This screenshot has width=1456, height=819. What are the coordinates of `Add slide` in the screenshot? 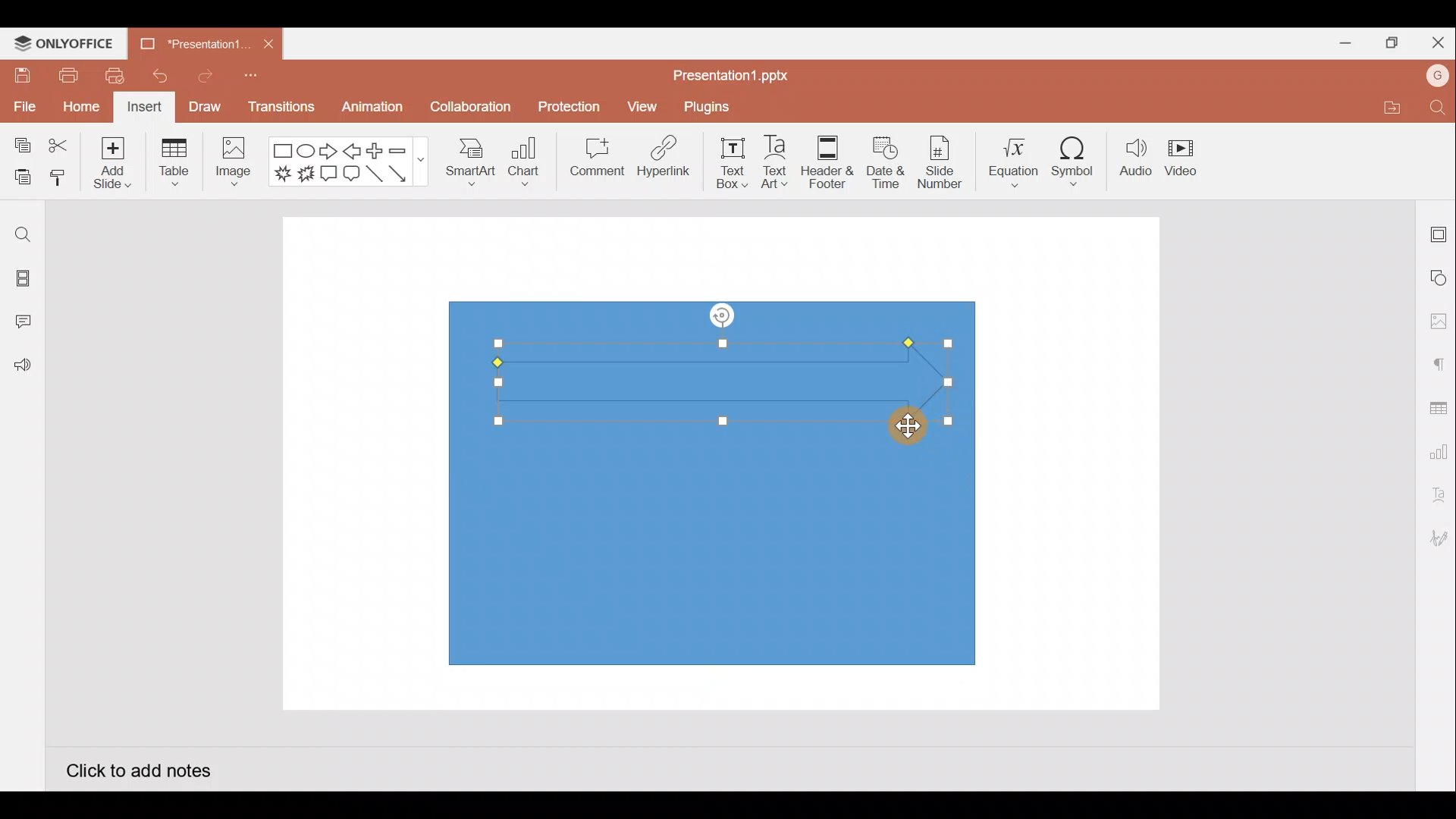 It's located at (110, 159).